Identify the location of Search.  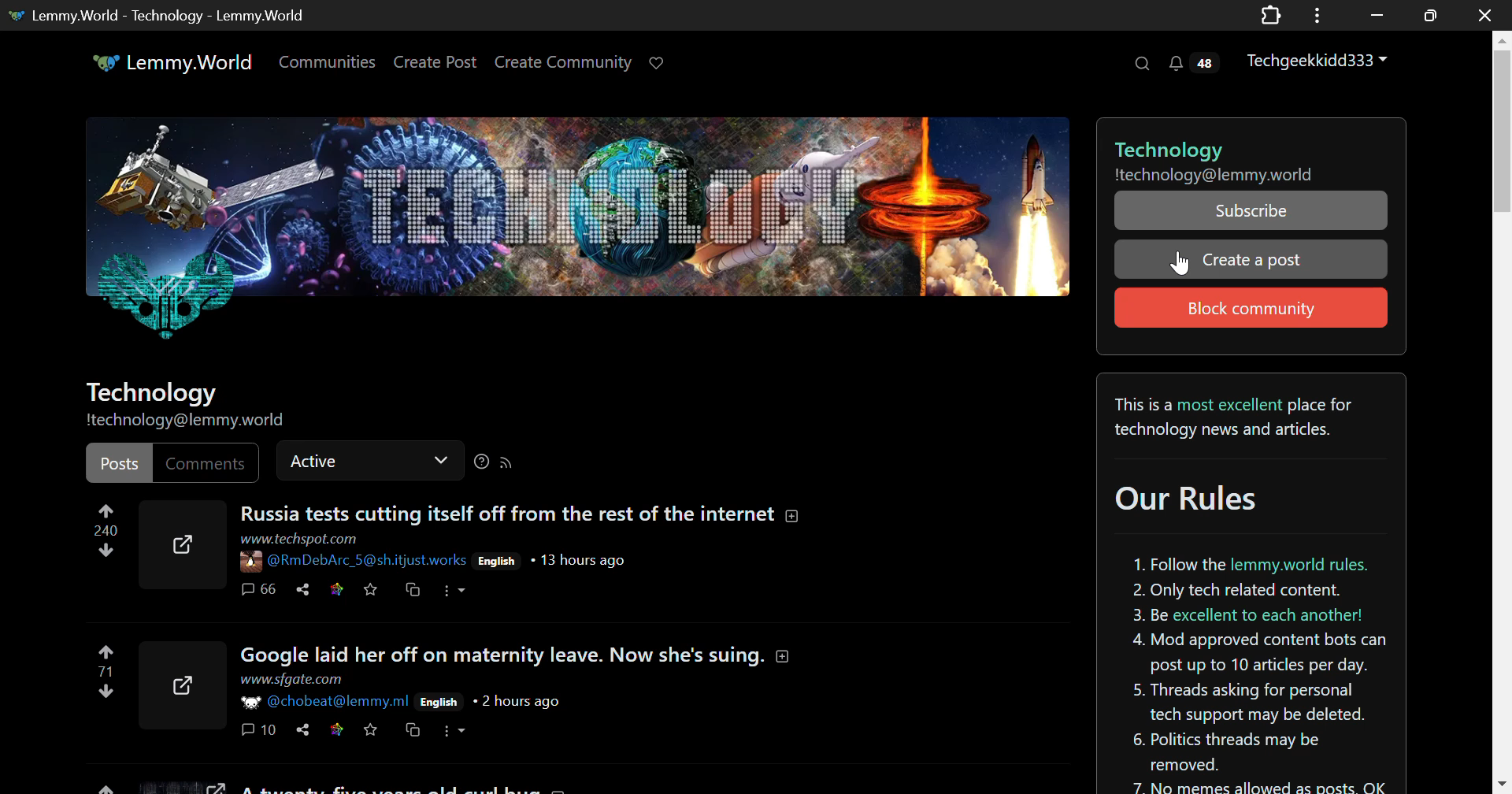
(1144, 65).